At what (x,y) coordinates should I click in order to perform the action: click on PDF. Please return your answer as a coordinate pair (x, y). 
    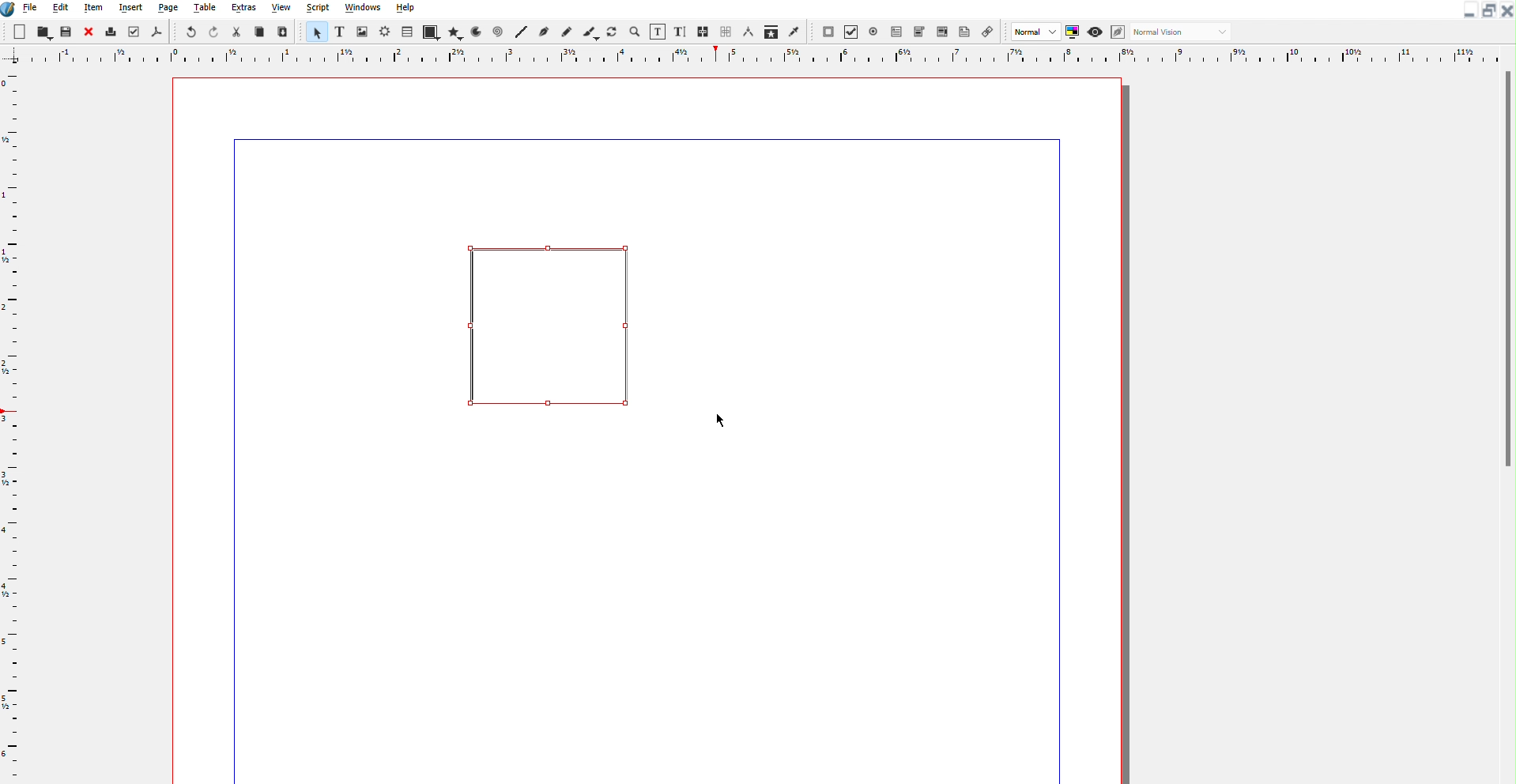
    Looking at the image, I should click on (154, 32).